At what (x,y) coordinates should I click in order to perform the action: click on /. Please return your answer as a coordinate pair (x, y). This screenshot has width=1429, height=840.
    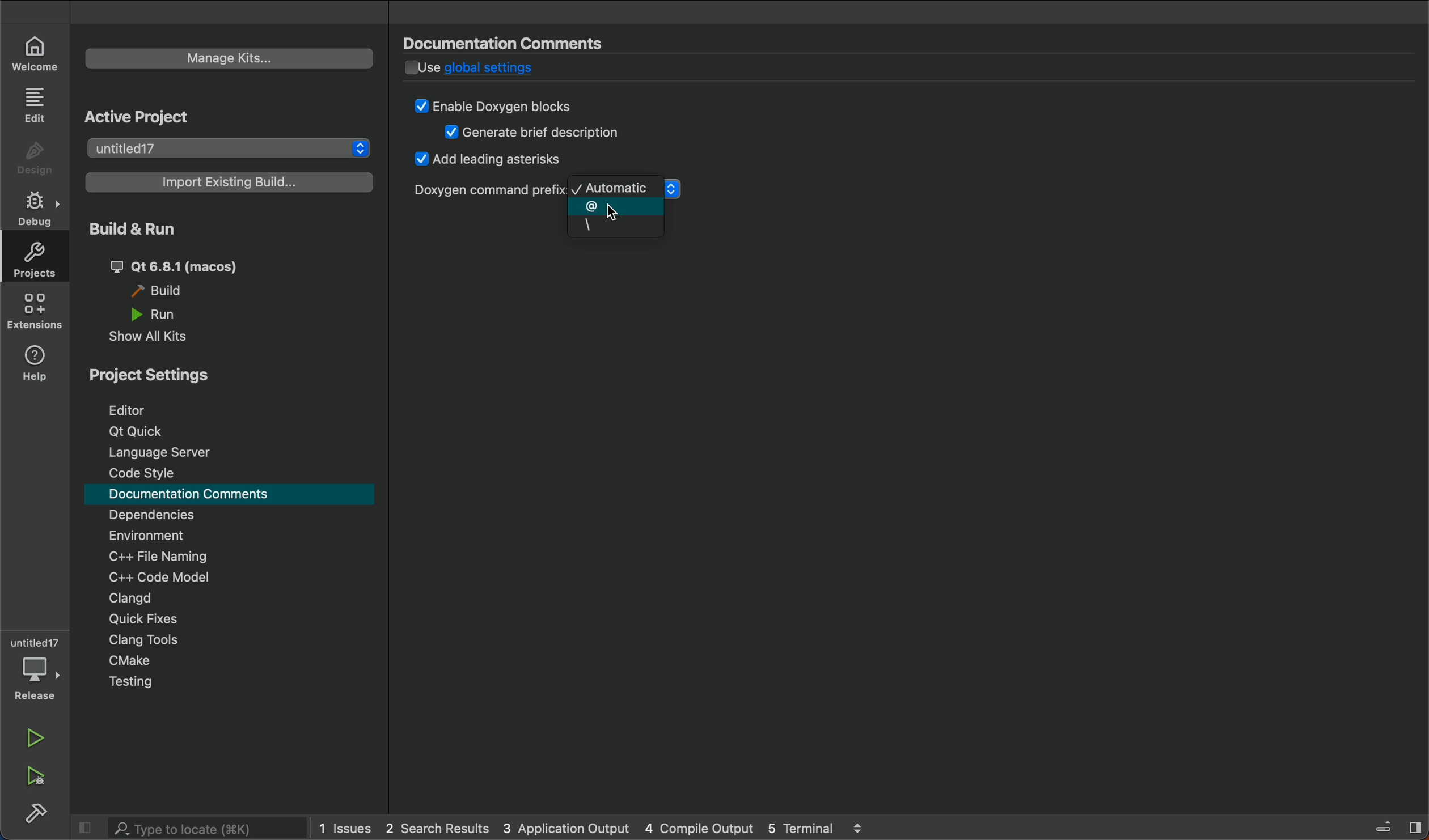
    Looking at the image, I should click on (616, 227).